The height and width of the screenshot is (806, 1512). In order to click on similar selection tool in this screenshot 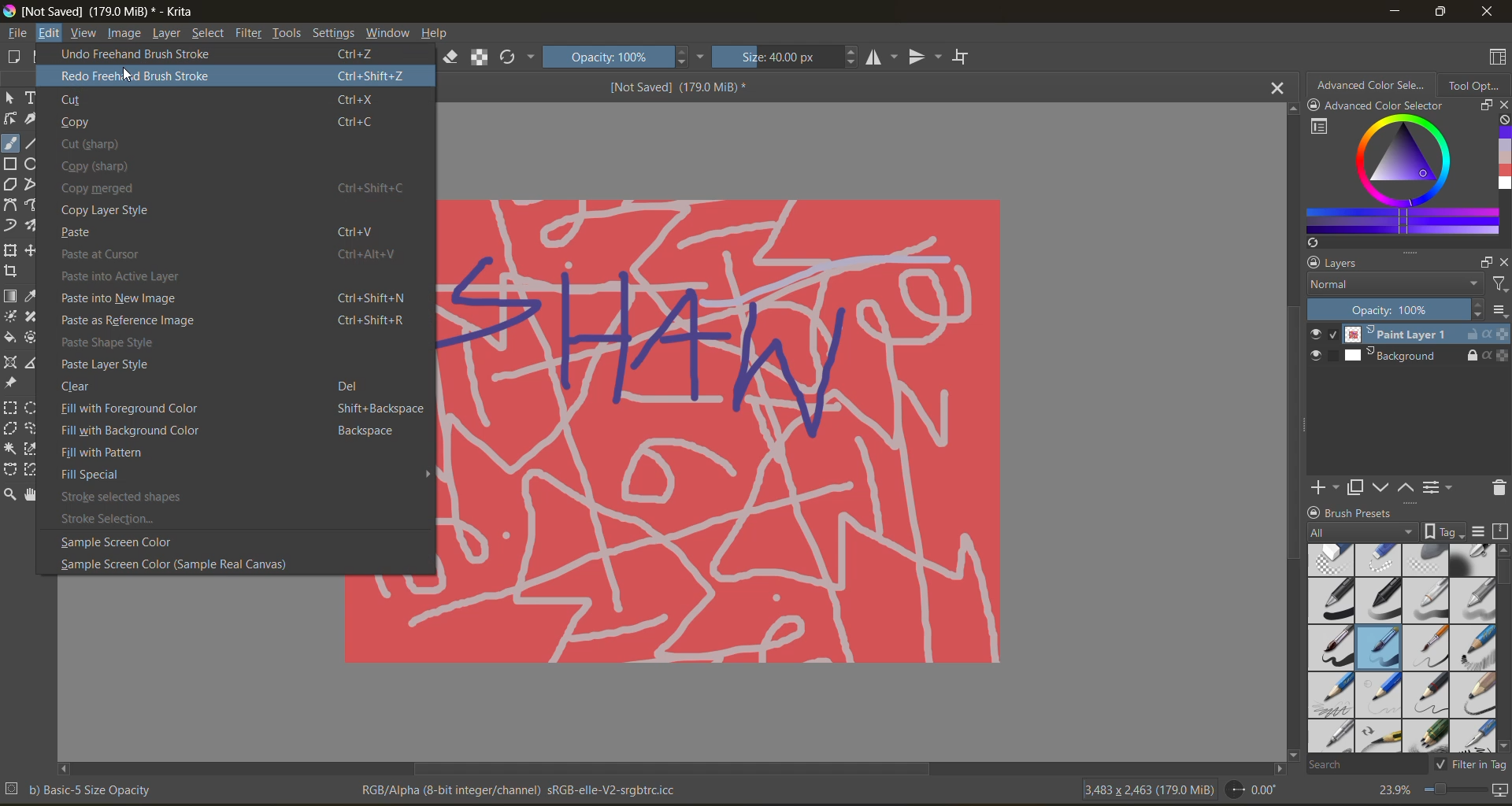, I will do `click(34, 449)`.